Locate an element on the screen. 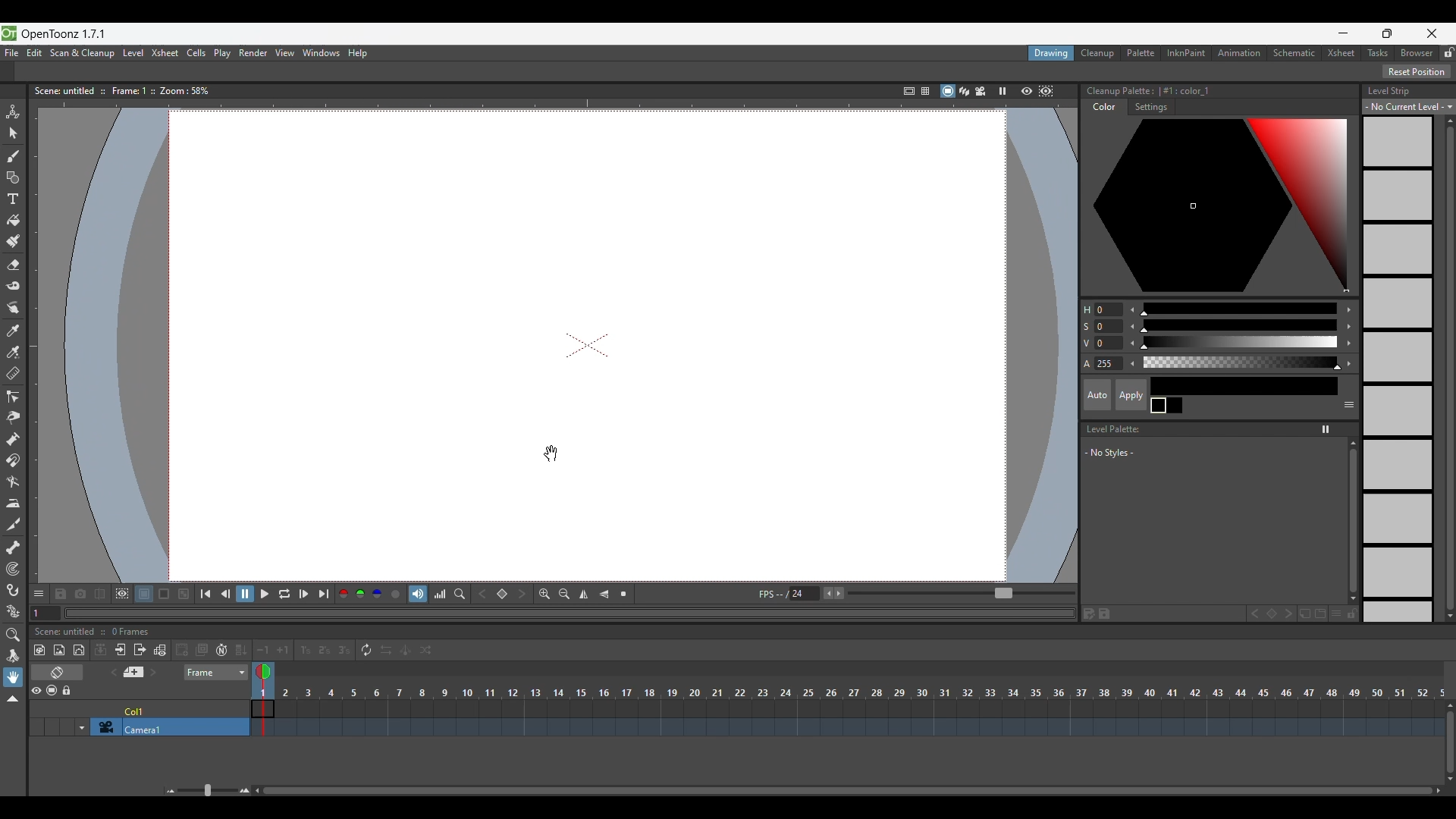 This screenshot has height=819, width=1456. Zoom out is located at coordinates (168, 789).